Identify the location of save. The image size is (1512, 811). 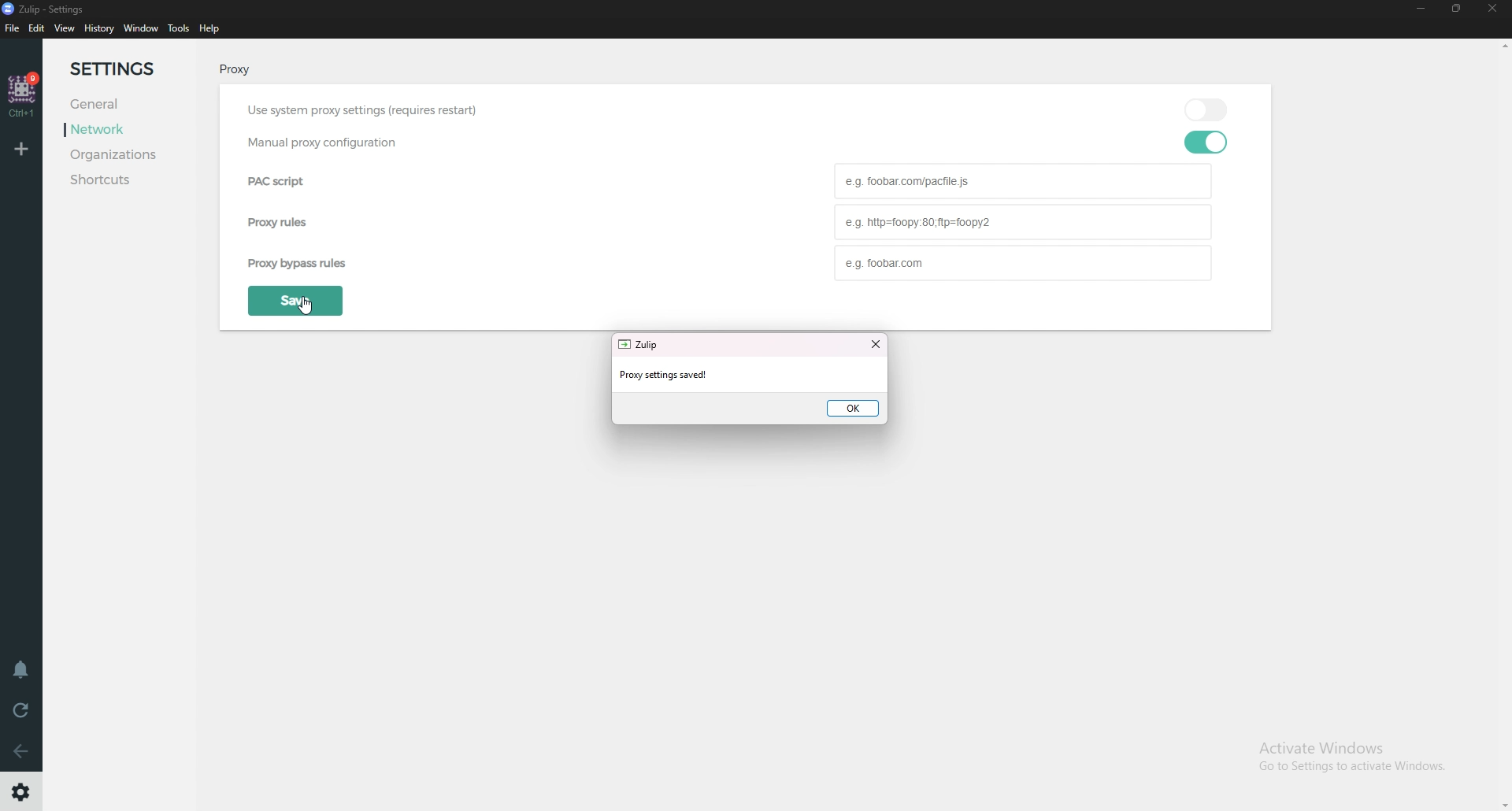
(294, 301).